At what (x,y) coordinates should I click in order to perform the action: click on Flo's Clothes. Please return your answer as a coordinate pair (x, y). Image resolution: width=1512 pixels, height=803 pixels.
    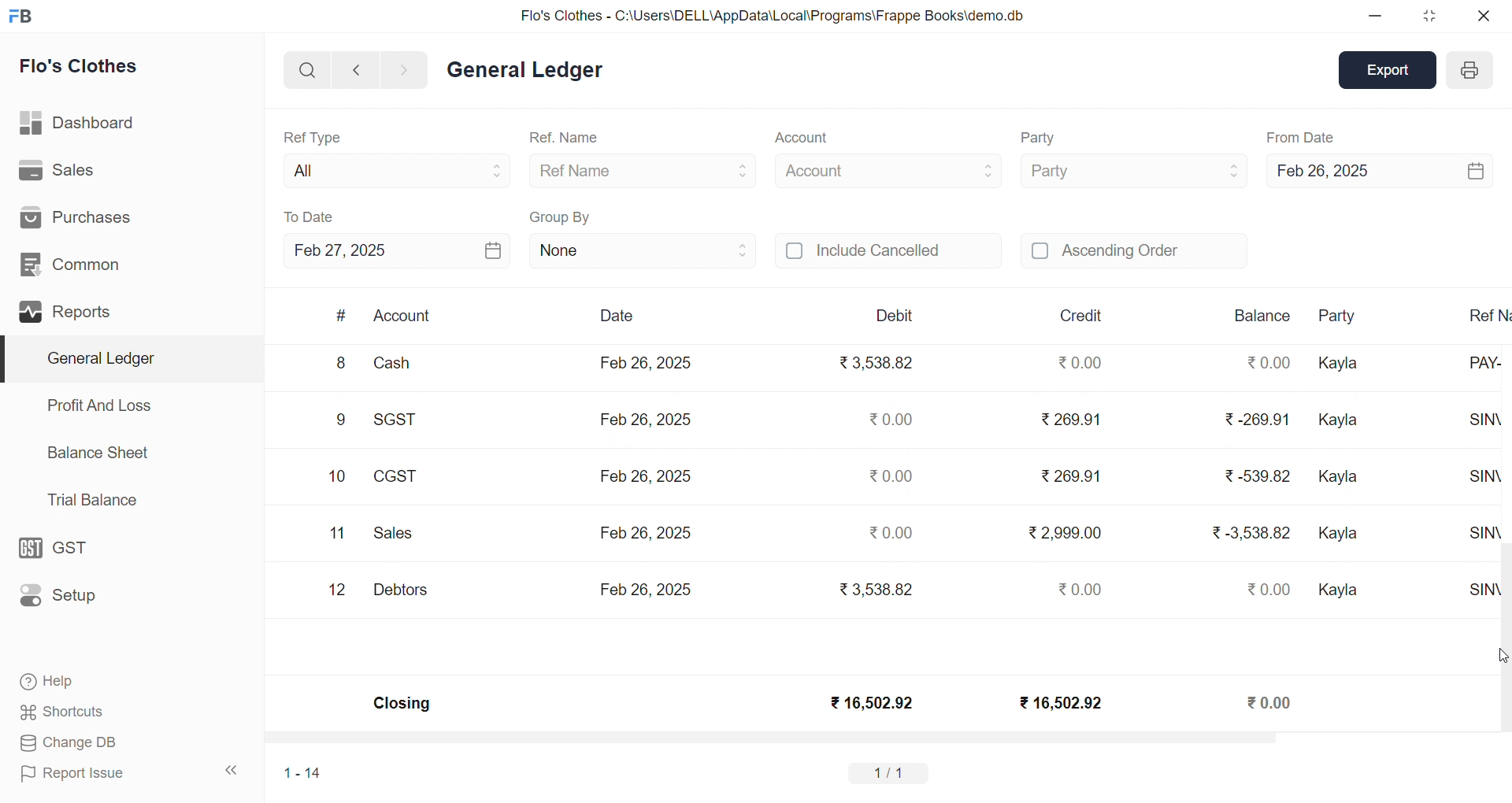
    Looking at the image, I should click on (80, 66).